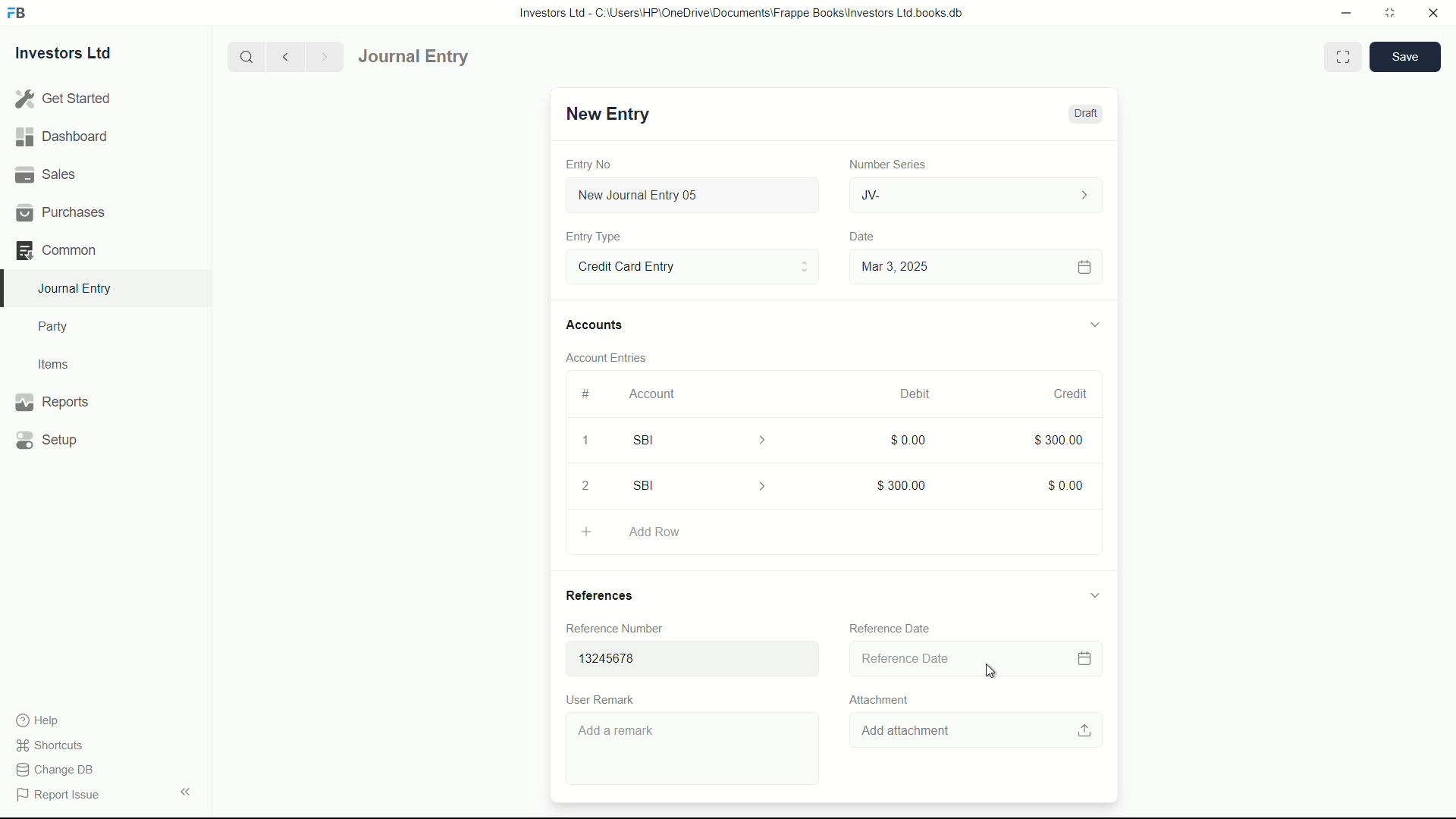 This screenshot has height=819, width=1456. I want to click on $300.00, so click(1060, 441).